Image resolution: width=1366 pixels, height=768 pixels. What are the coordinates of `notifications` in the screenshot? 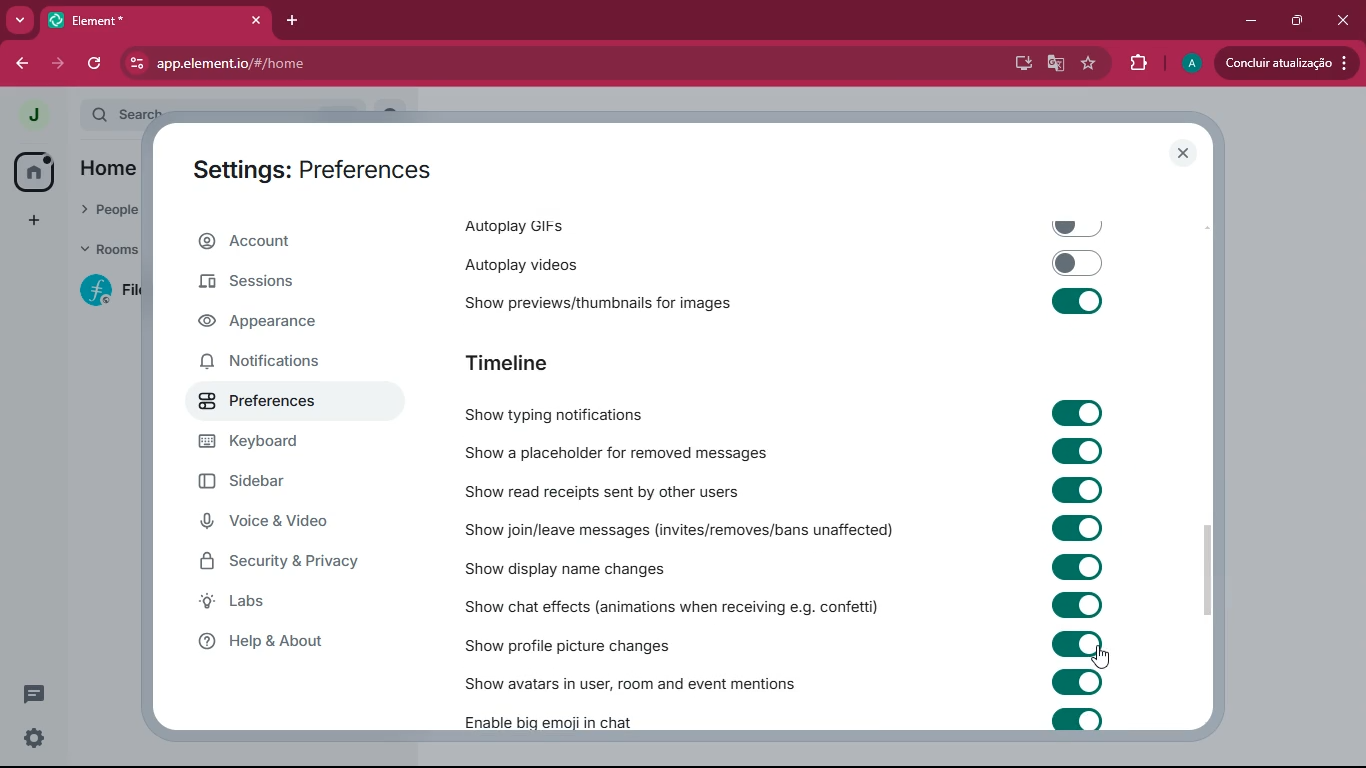 It's located at (281, 366).